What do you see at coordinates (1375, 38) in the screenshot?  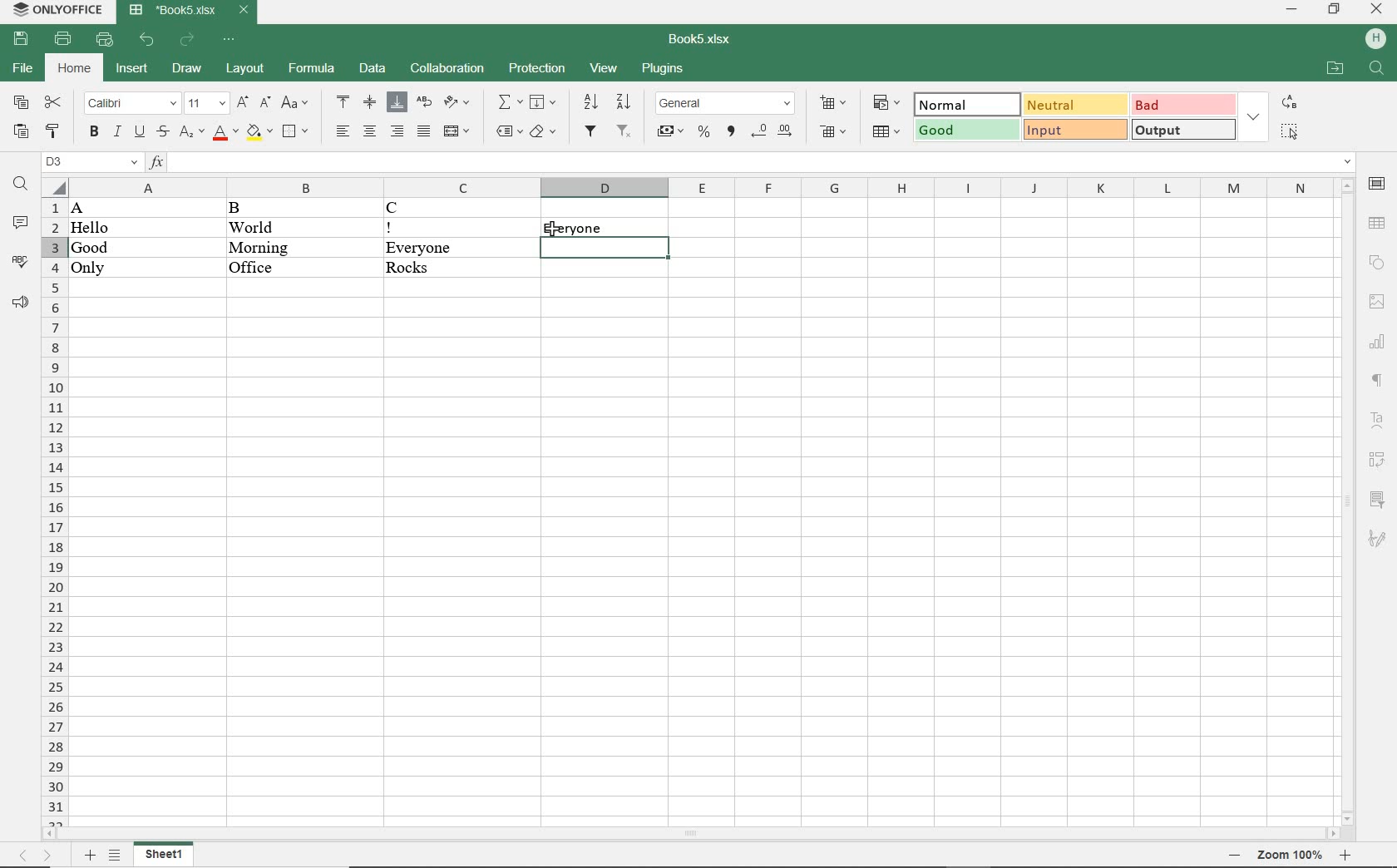 I see `HP` at bounding box center [1375, 38].